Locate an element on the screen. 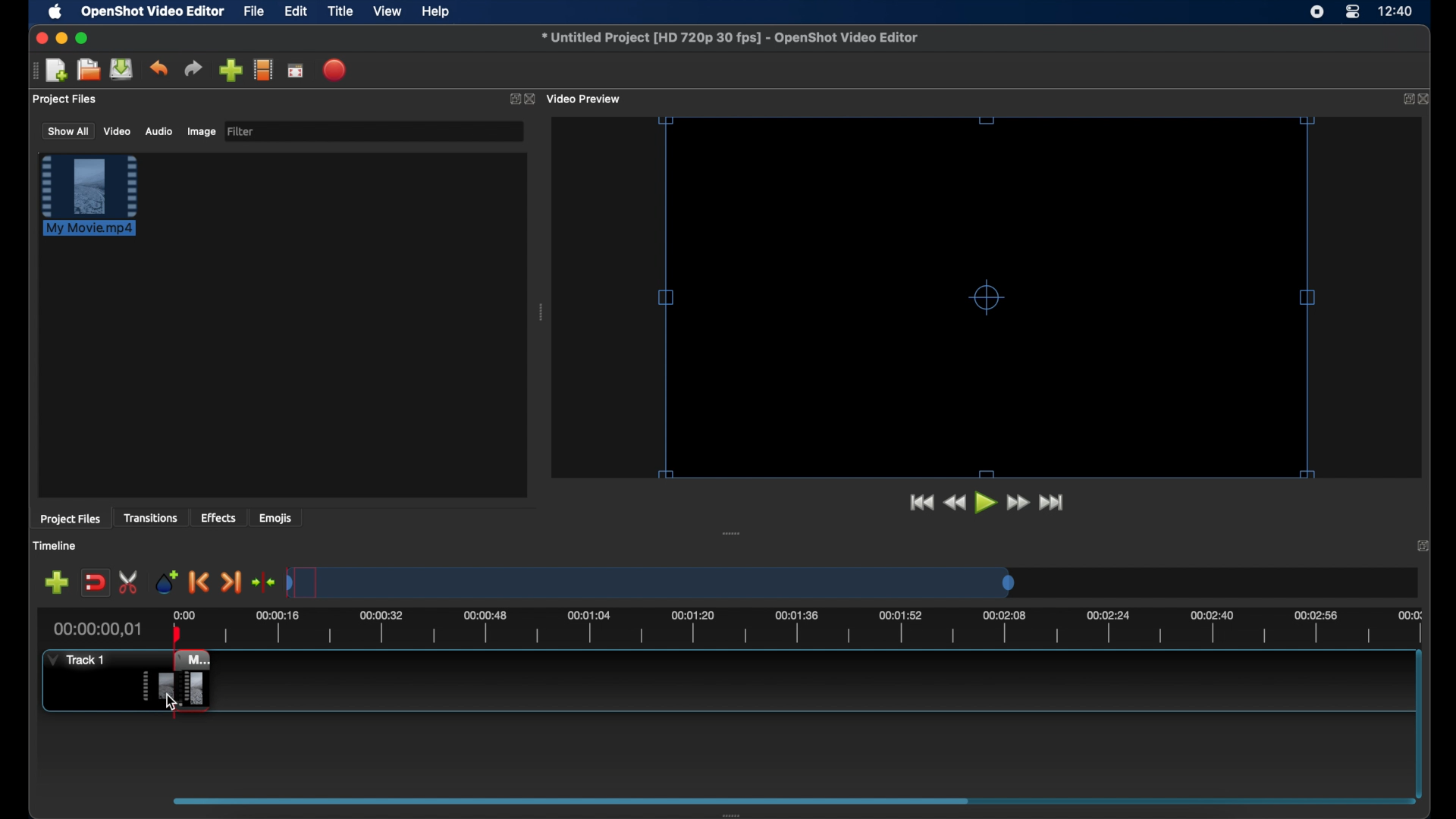  new project is located at coordinates (57, 71).